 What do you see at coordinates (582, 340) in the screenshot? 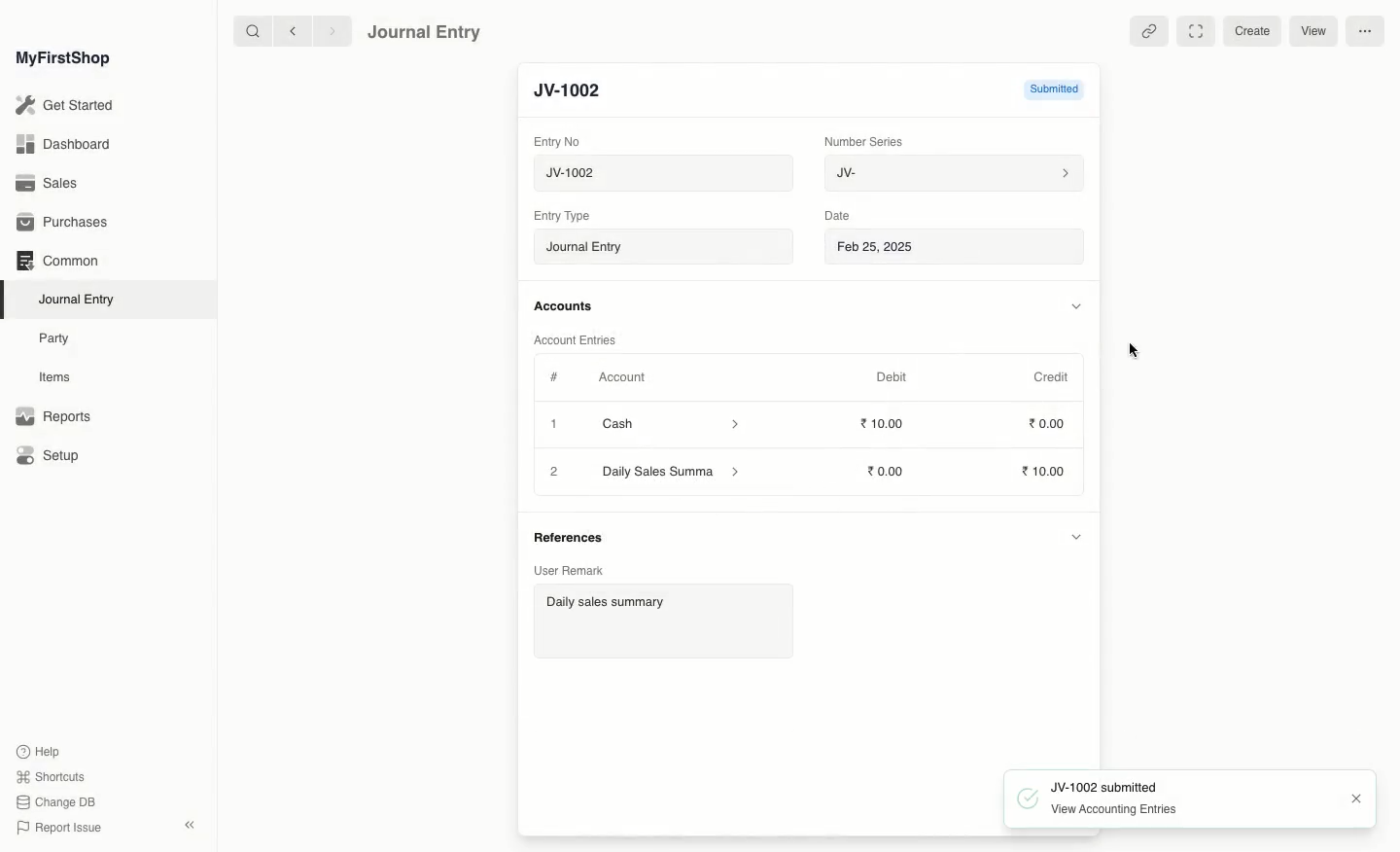
I see `Account Entries` at bounding box center [582, 340].